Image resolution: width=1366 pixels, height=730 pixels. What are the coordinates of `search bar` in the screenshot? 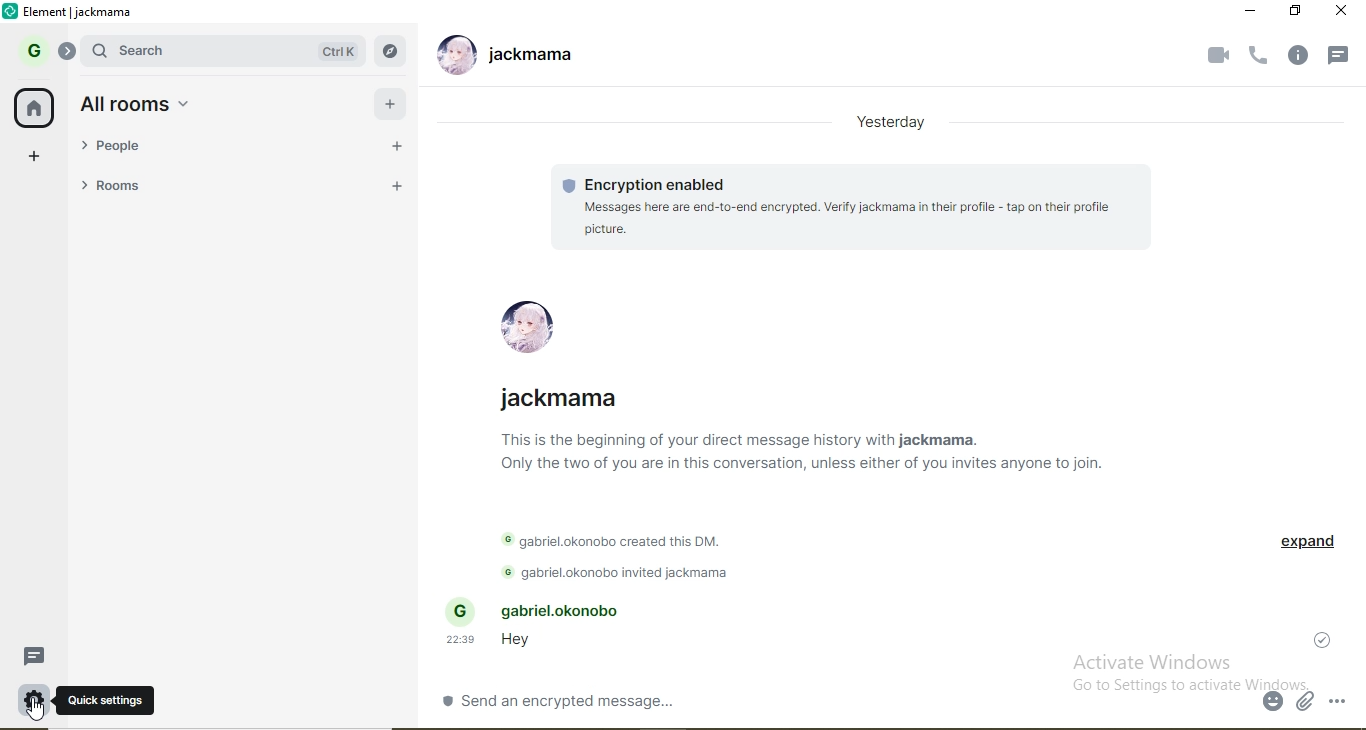 It's located at (154, 51).